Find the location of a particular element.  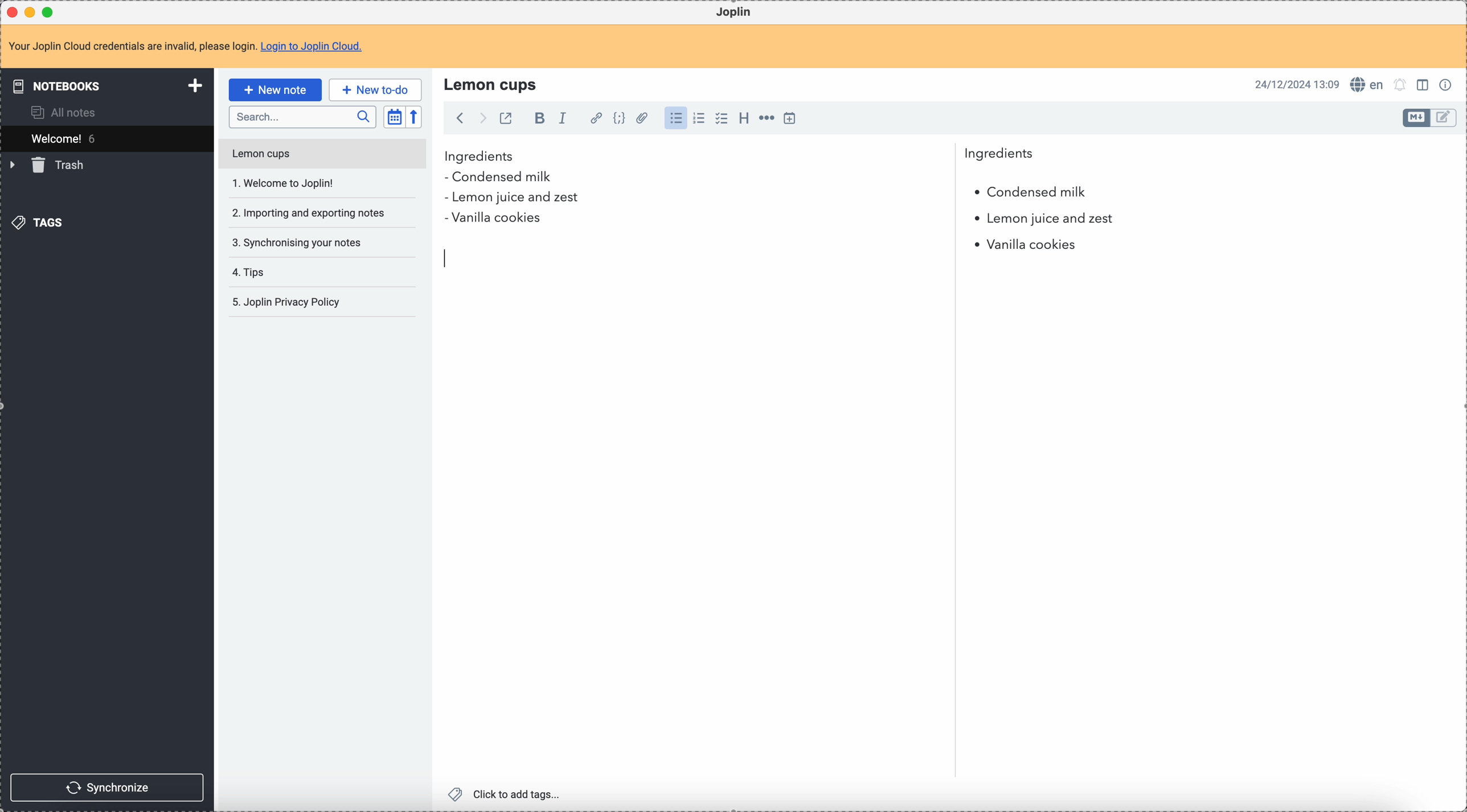

click on new note is located at coordinates (274, 88).